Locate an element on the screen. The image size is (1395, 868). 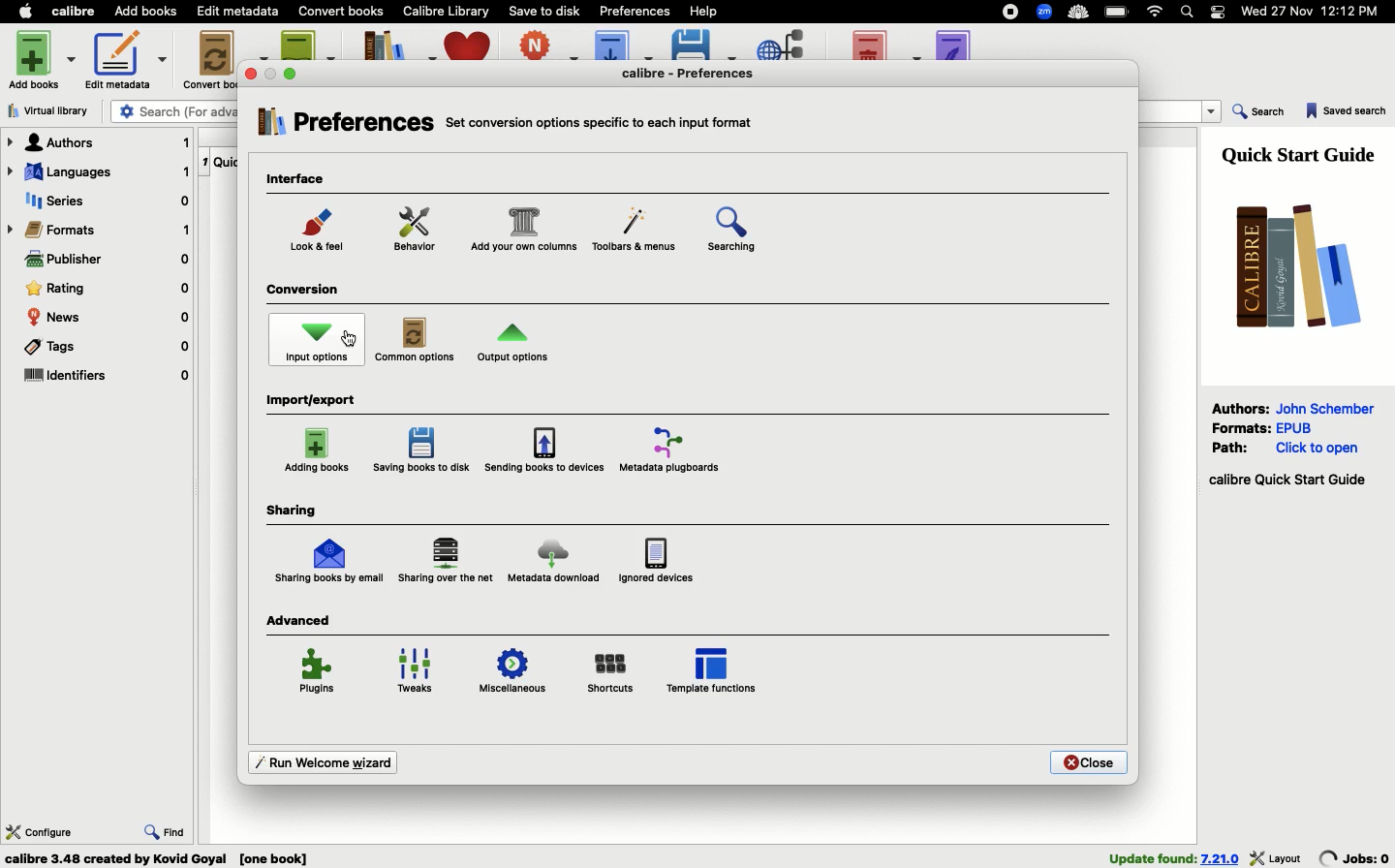
Search bar is located at coordinates (1189, 13).